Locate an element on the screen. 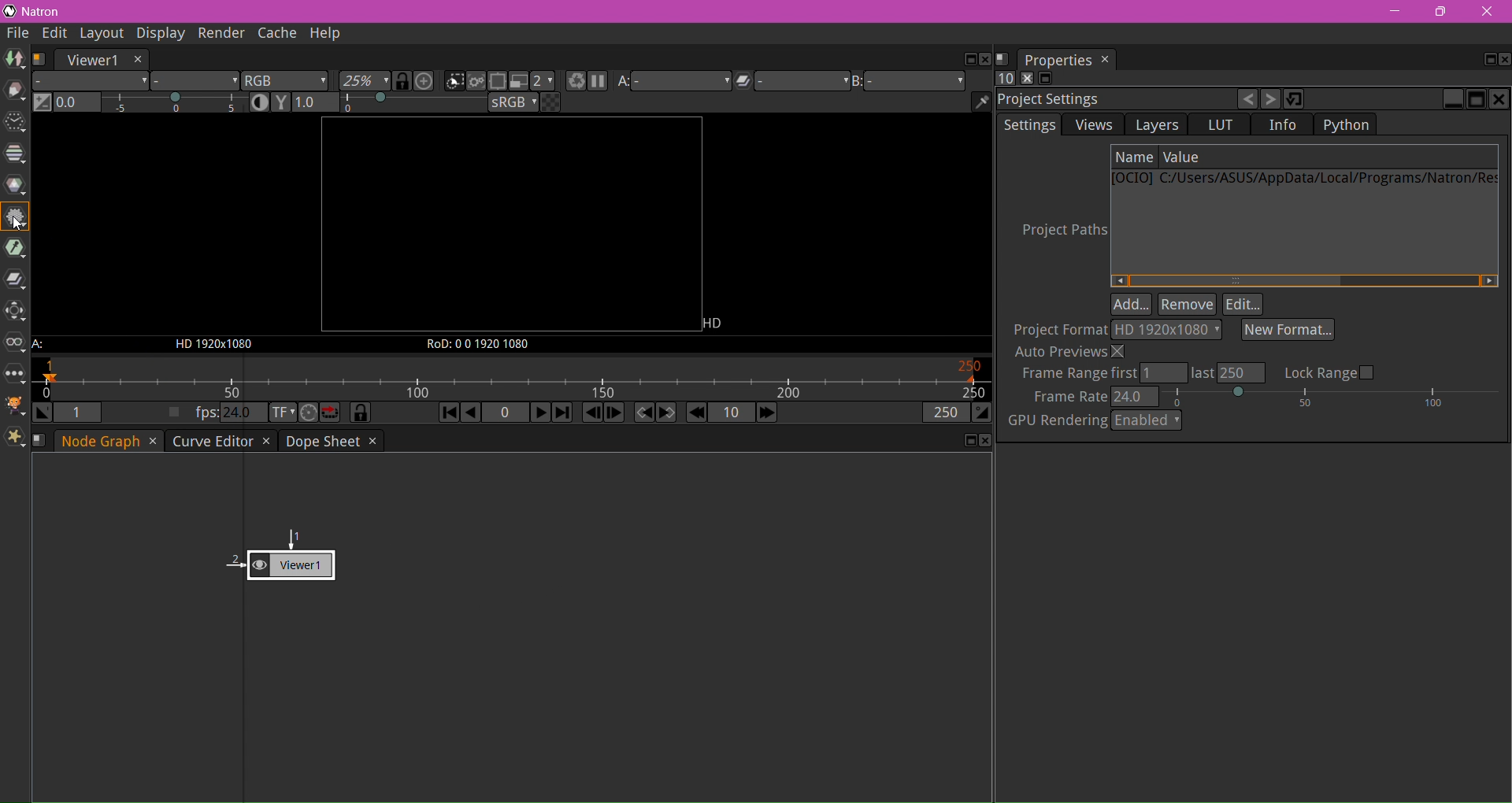  Check to enable Auto Previews is located at coordinates (1073, 351).